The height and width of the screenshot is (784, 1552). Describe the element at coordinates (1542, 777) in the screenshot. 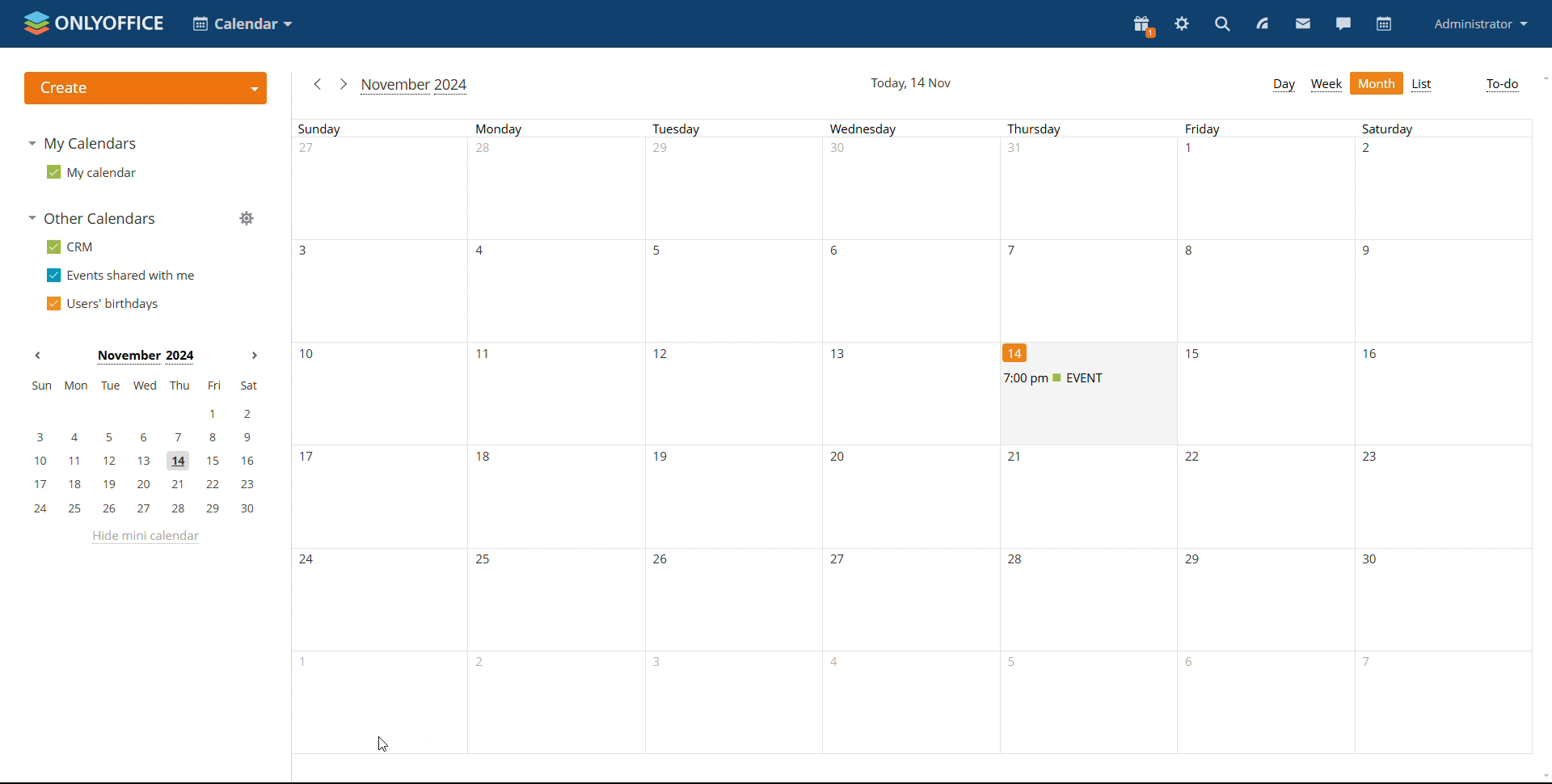

I see `scroll down` at that location.